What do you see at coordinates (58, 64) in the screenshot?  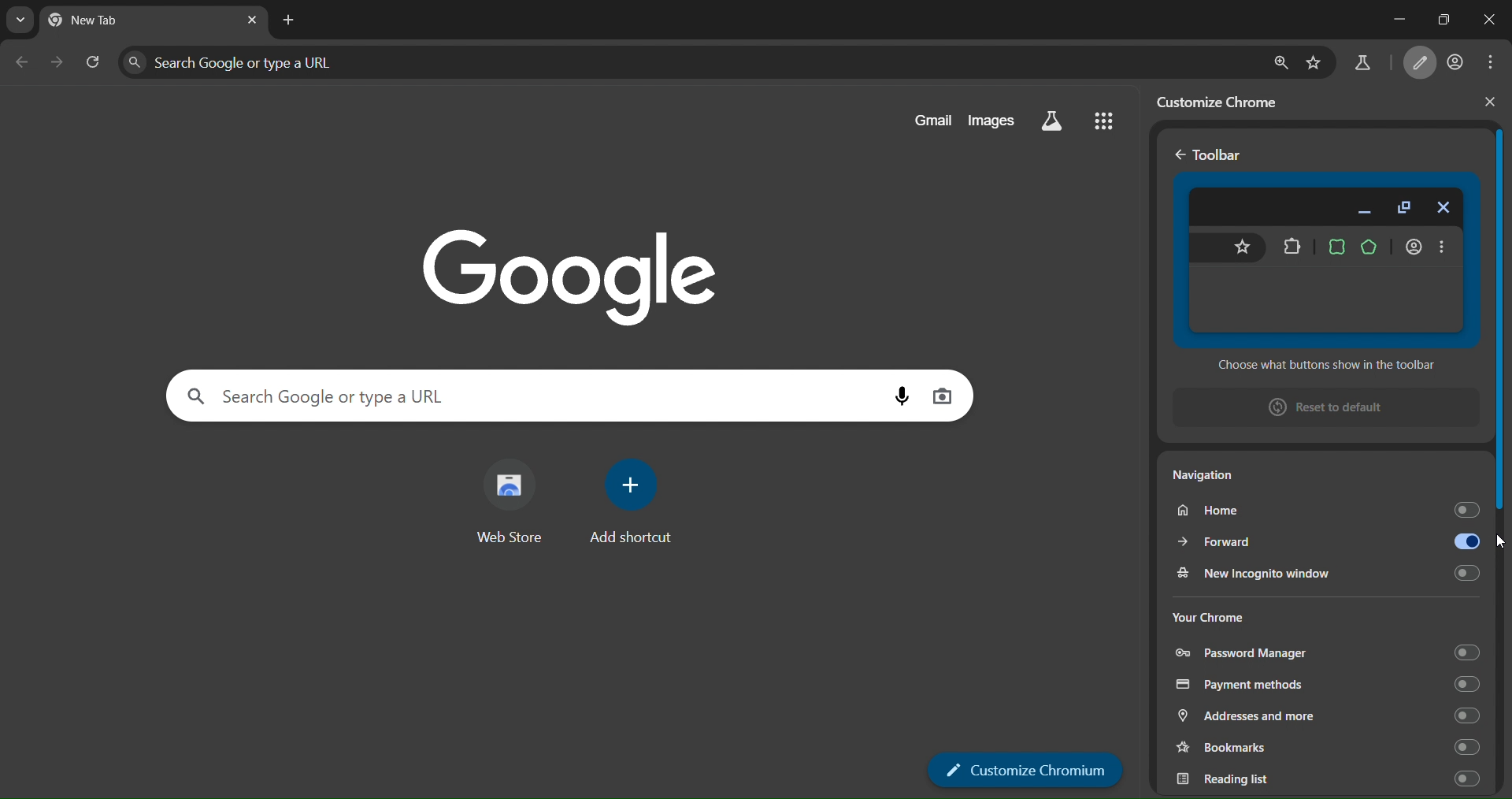 I see `go forward one page` at bounding box center [58, 64].